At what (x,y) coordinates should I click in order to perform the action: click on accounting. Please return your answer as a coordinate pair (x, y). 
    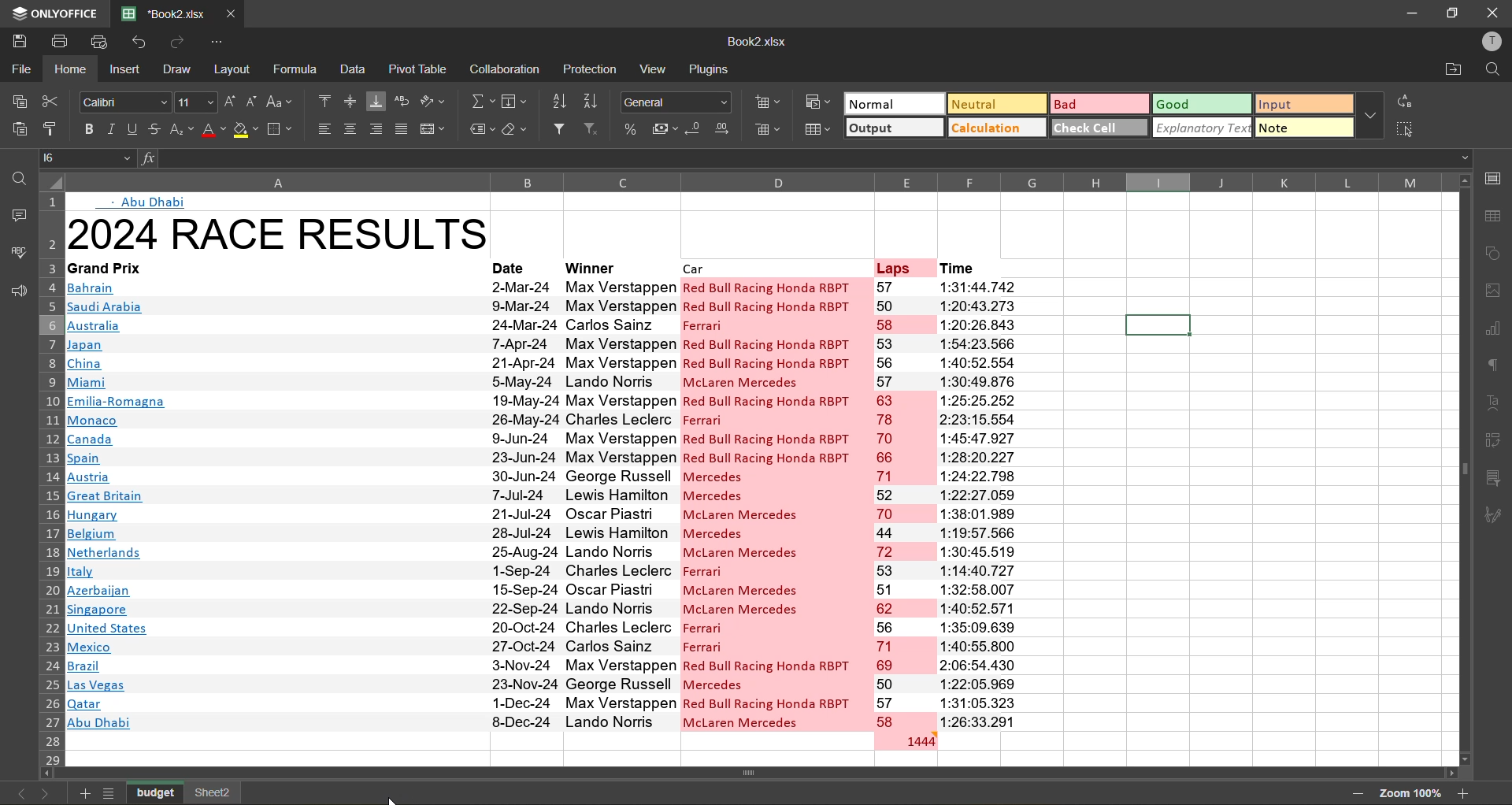
    Looking at the image, I should click on (663, 128).